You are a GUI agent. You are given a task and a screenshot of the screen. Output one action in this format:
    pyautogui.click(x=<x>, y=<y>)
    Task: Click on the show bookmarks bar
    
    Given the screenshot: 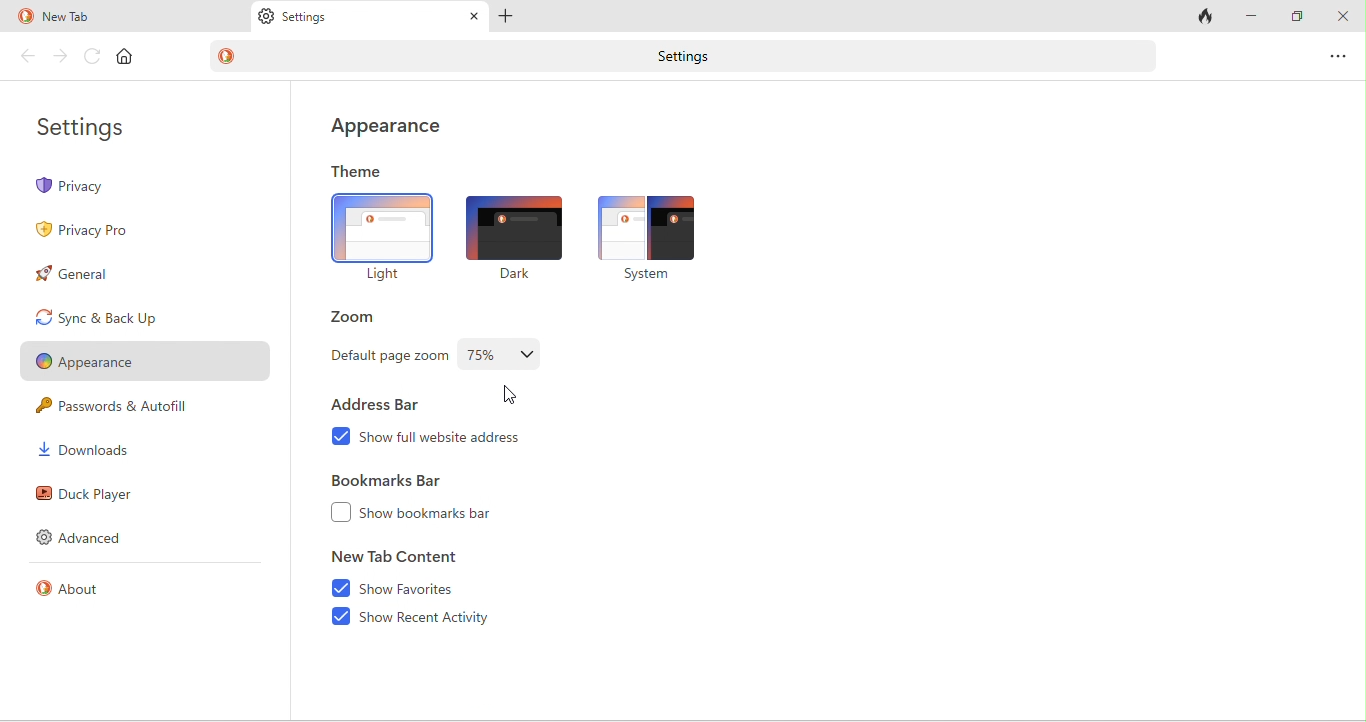 What is the action you would take?
    pyautogui.click(x=416, y=513)
    